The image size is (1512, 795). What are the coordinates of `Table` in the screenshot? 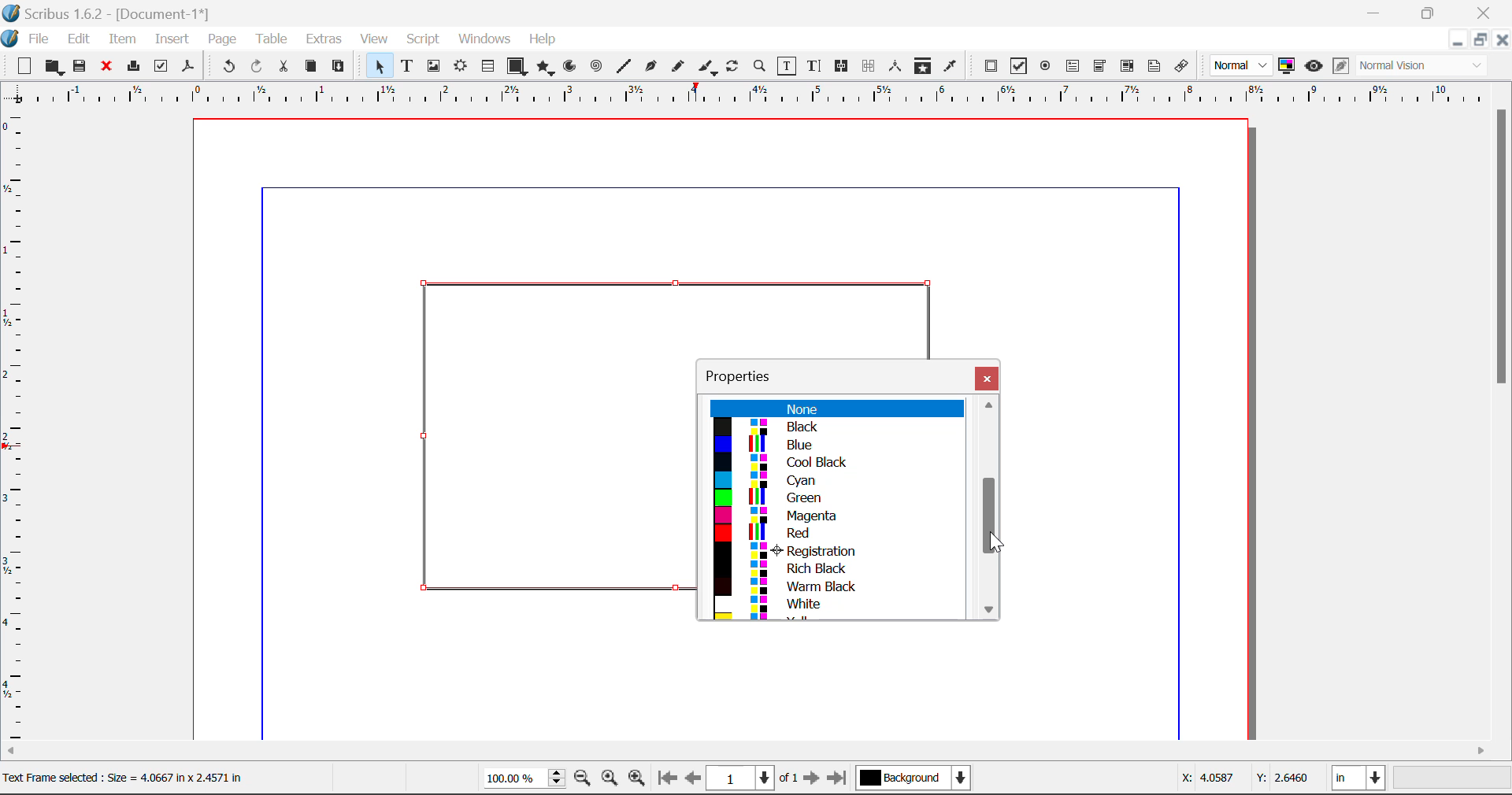 It's located at (271, 38).